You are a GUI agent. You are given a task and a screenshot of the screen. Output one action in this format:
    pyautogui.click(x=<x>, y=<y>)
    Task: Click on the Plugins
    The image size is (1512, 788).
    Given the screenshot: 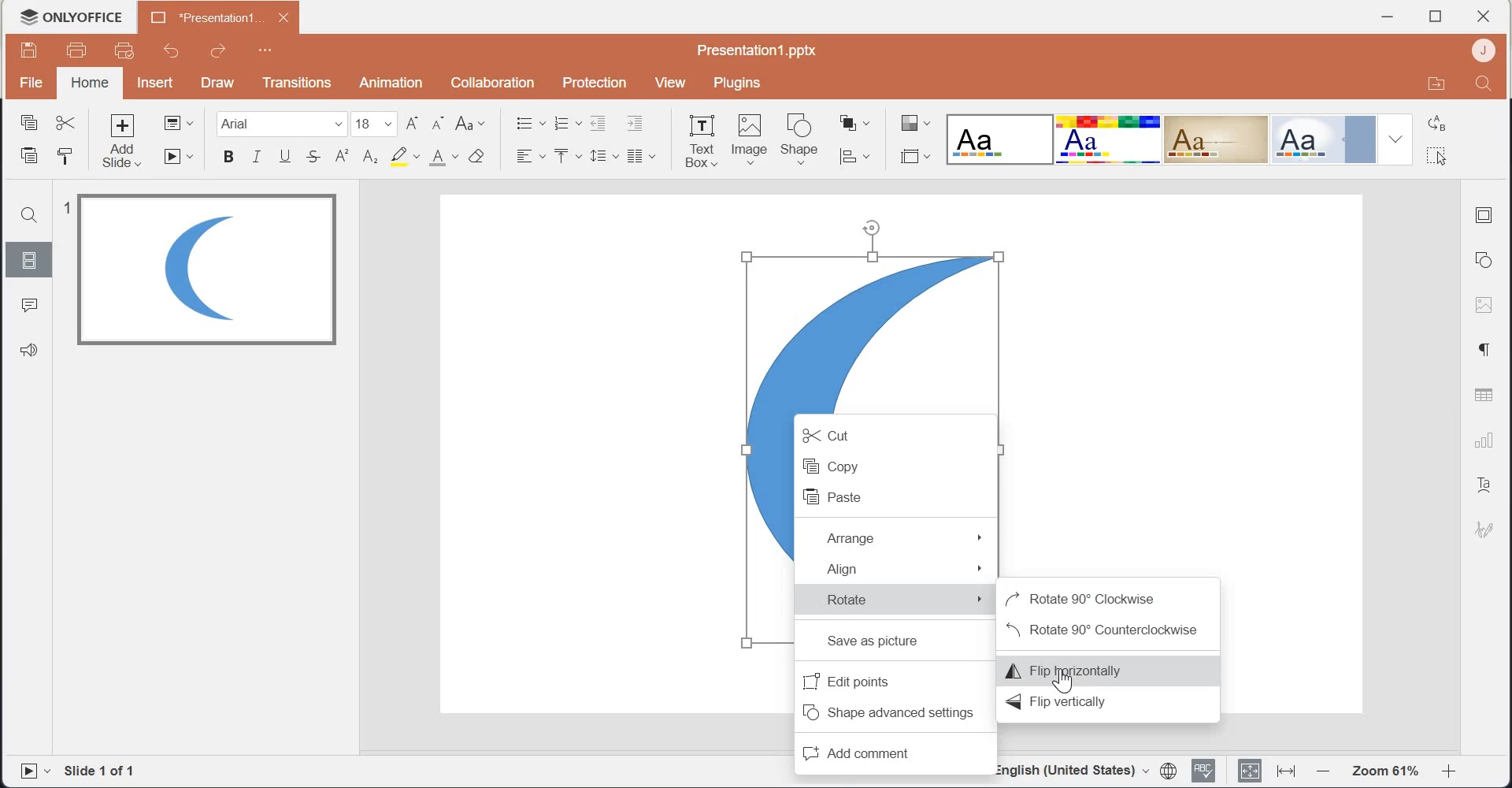 What is the action you would take?
    pyautogui.click(x=735, y=84)
    